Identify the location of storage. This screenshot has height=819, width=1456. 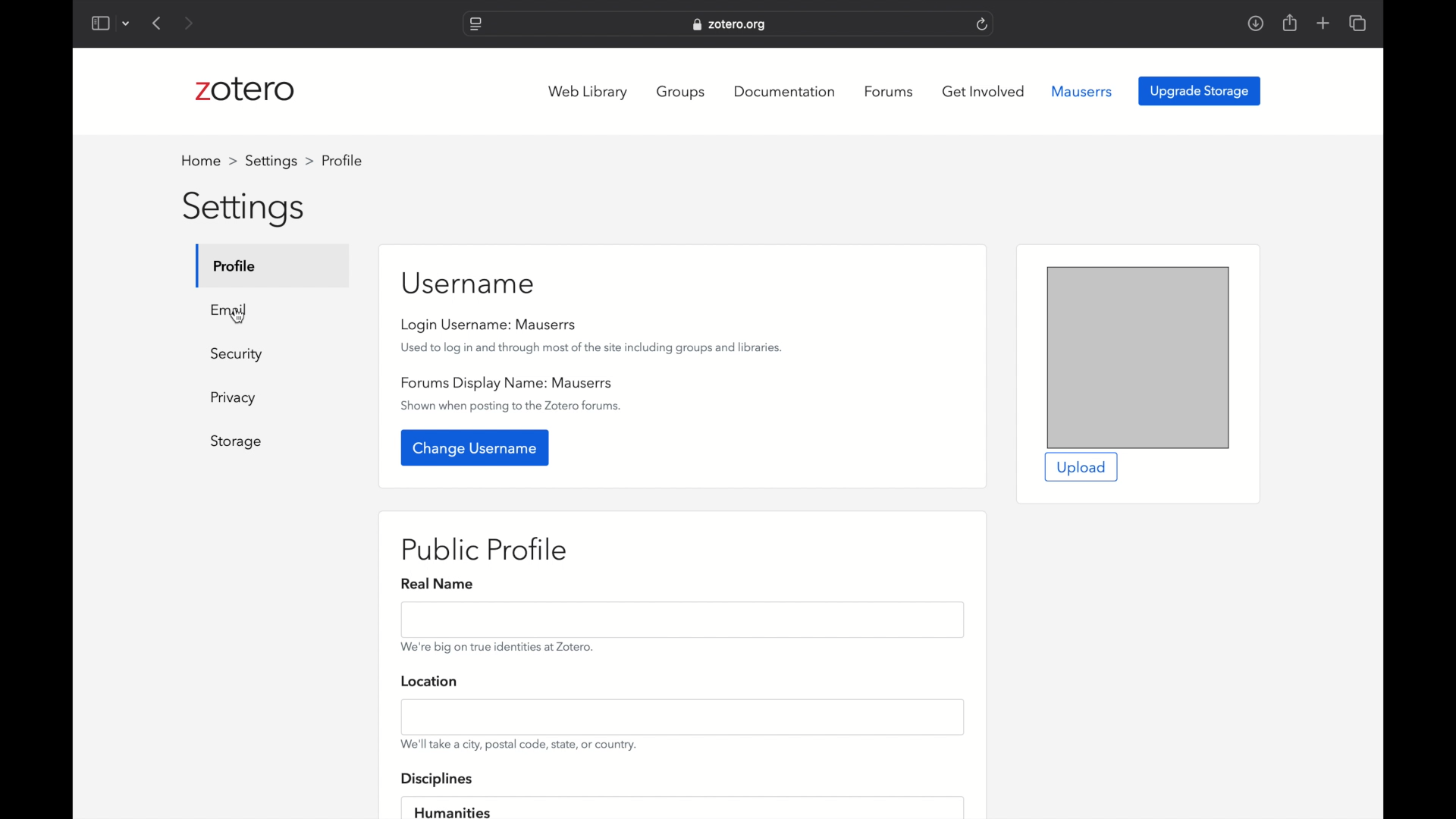
(237, 442).